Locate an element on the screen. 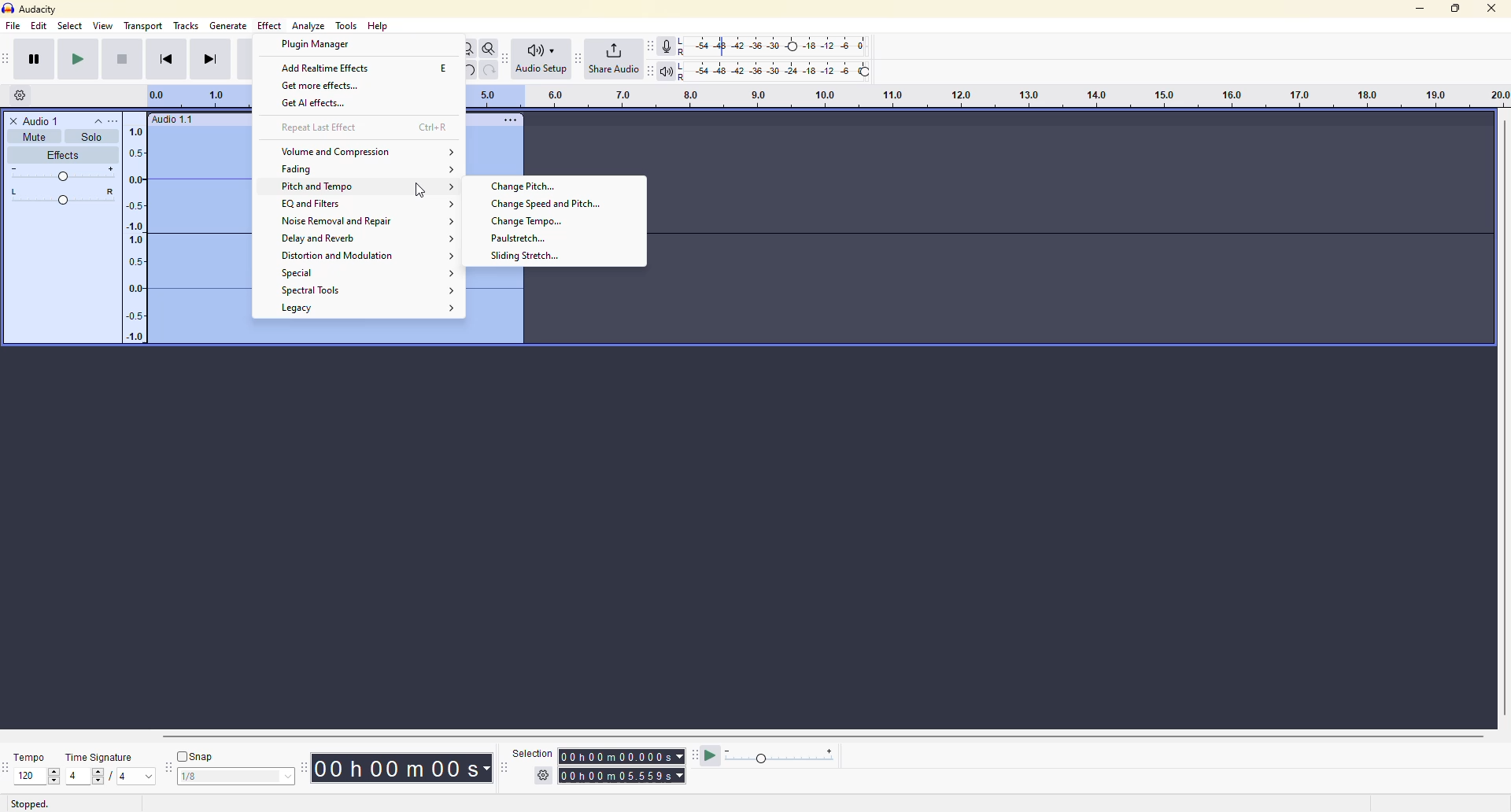 Image resolution: width=1511 pixels, height=812 pixels. time is located at coordinates (624, 776).